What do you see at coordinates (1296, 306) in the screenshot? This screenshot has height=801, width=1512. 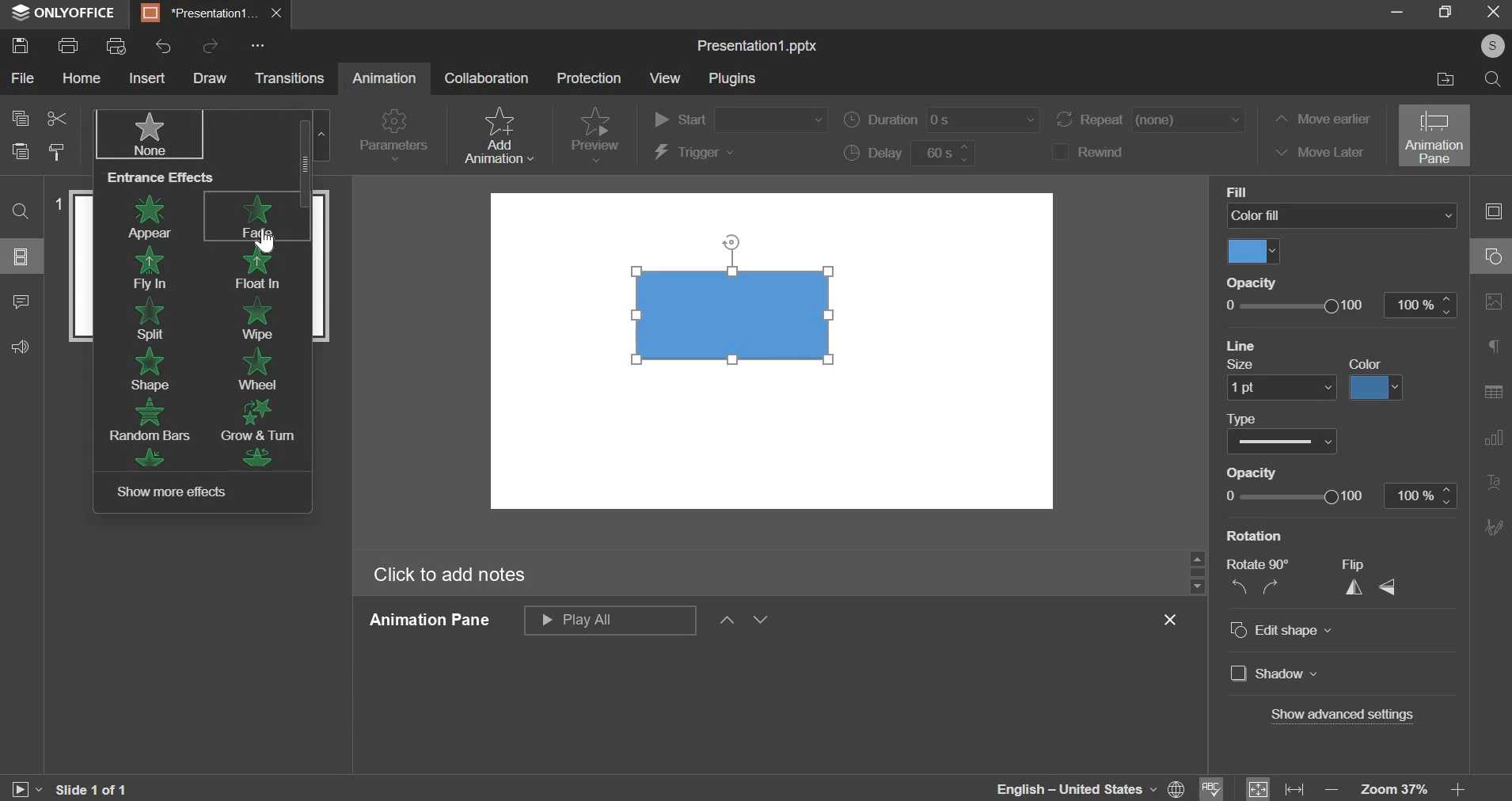 I see `opacity` at bounding box center [1296, 306].